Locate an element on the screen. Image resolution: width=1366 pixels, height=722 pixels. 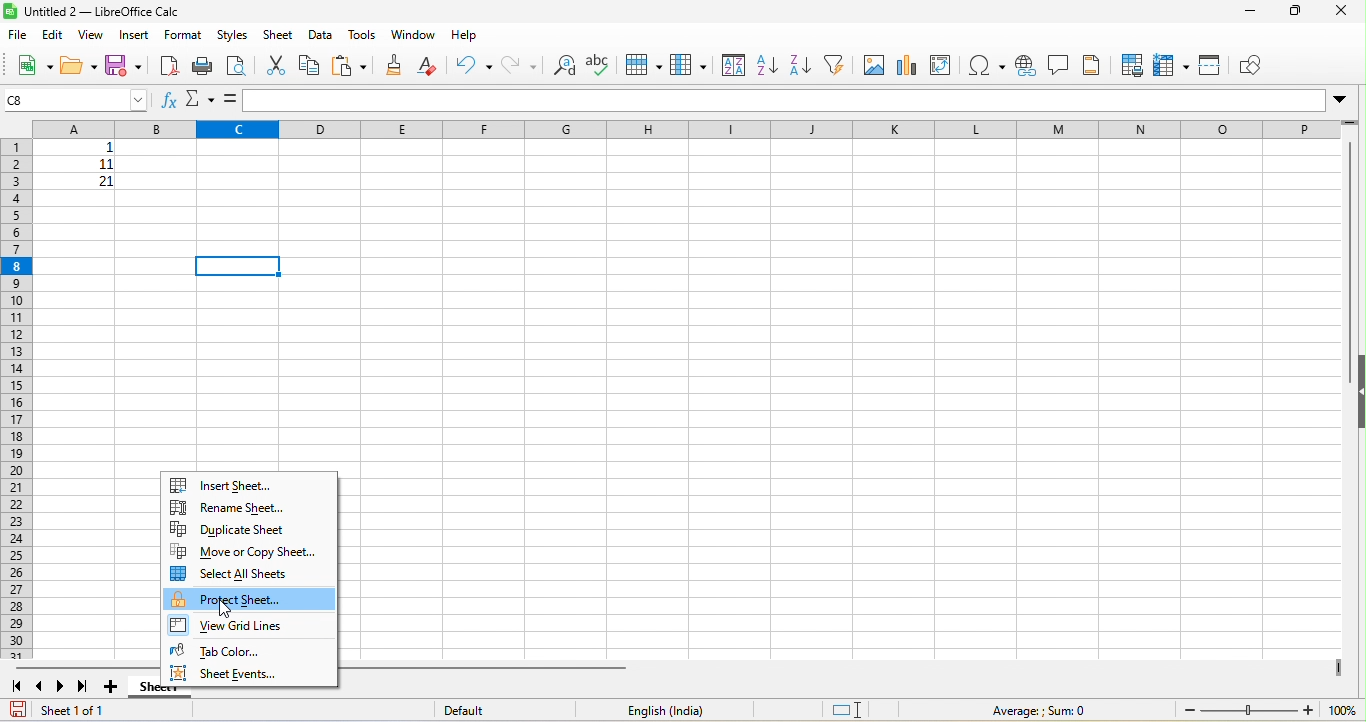
view is located at coordinates (92, 34).